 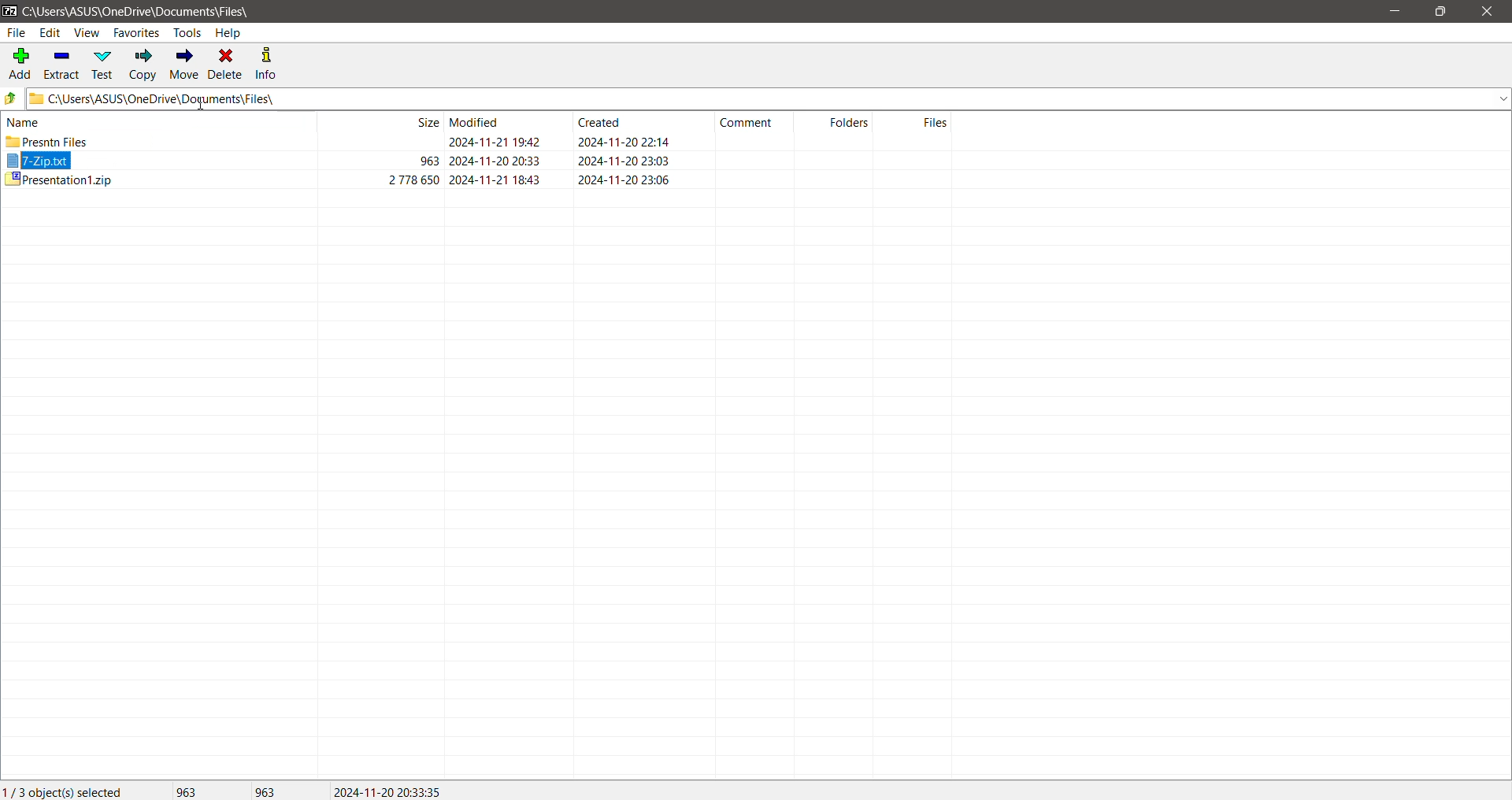 I want to click on Favorites, so click(x=138, y=33).